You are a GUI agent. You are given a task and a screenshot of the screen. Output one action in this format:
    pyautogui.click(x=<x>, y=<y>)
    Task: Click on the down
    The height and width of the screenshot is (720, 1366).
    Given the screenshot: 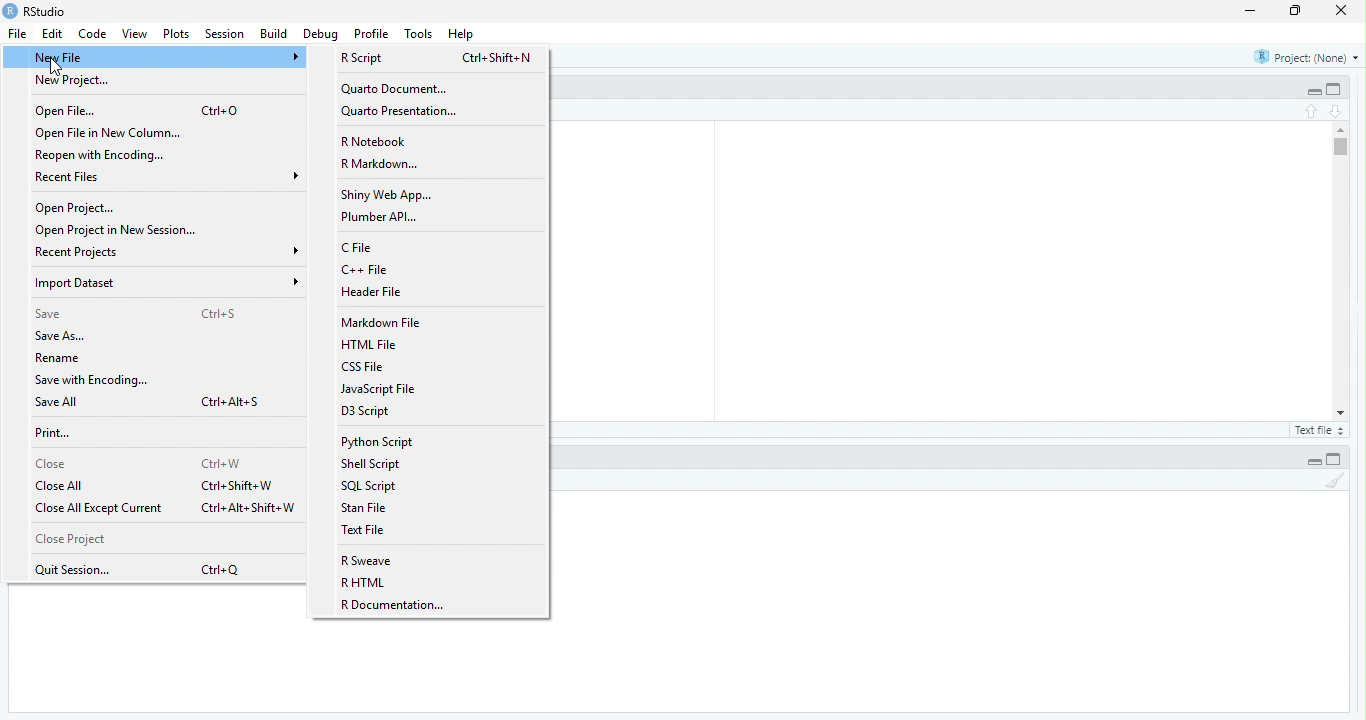 What is the action you would take?
    pyautogui.click(x=1337, y=112)
    